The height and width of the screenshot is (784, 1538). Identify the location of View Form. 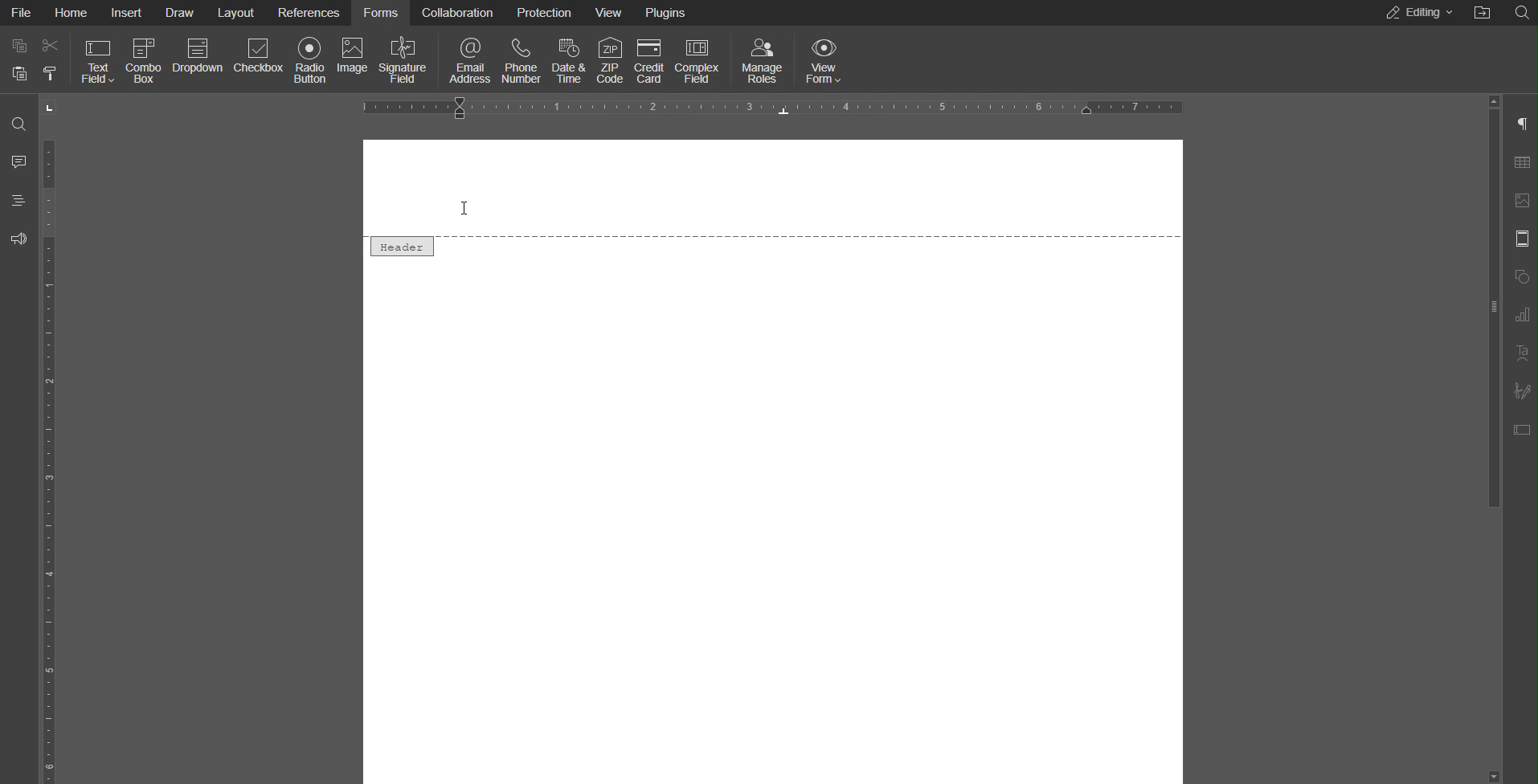
(822, 59).